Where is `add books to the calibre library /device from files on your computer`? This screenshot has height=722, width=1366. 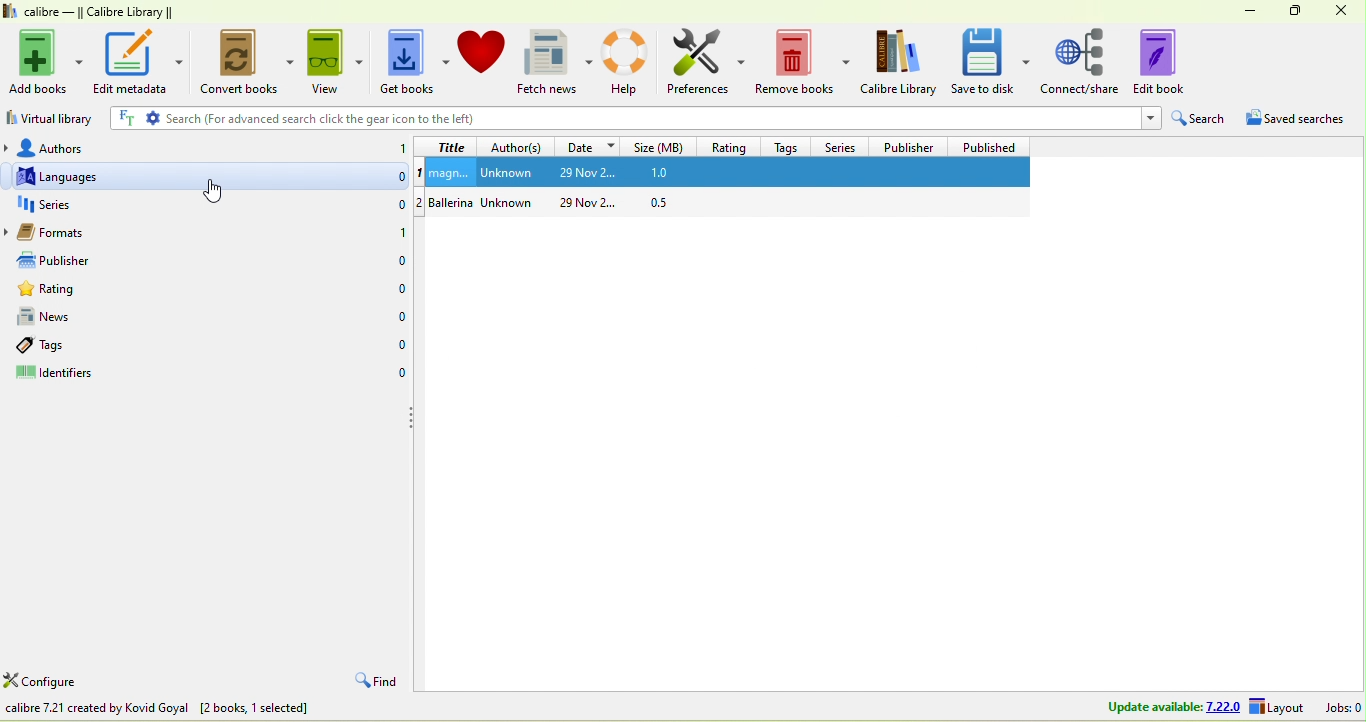 add books to the calibre library /device from files on your computer is located at coordinates (192, 707).